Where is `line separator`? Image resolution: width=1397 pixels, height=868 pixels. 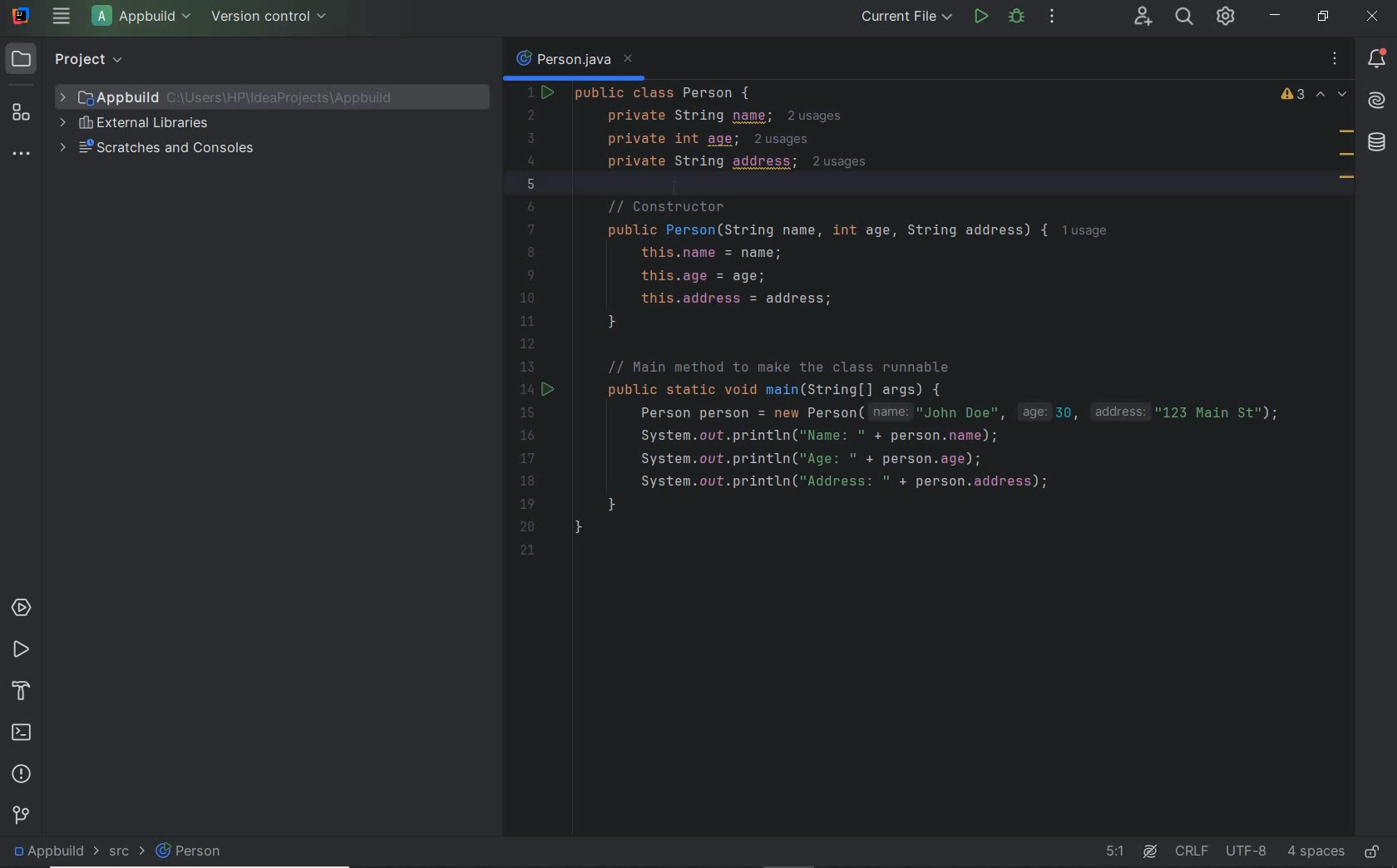
line separator is located at coordinates (1192, 852).